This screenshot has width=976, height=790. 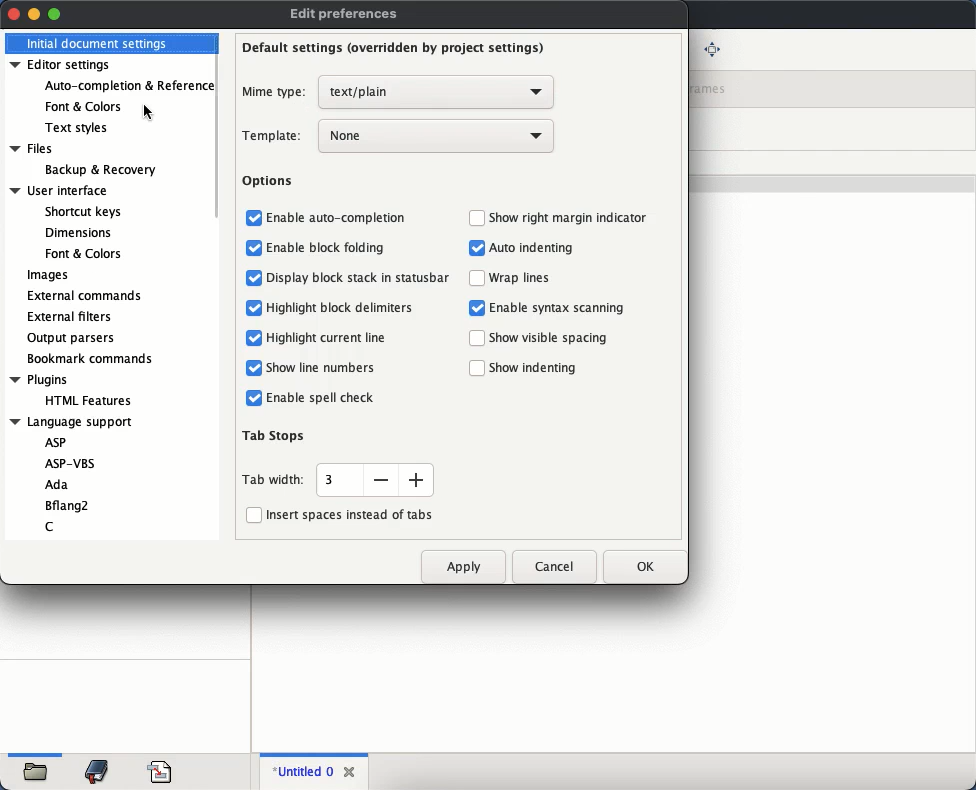 What do you see at coordinates (87, 294) in the screenshot?
I see `external commands` at bounding box center [87, 294].